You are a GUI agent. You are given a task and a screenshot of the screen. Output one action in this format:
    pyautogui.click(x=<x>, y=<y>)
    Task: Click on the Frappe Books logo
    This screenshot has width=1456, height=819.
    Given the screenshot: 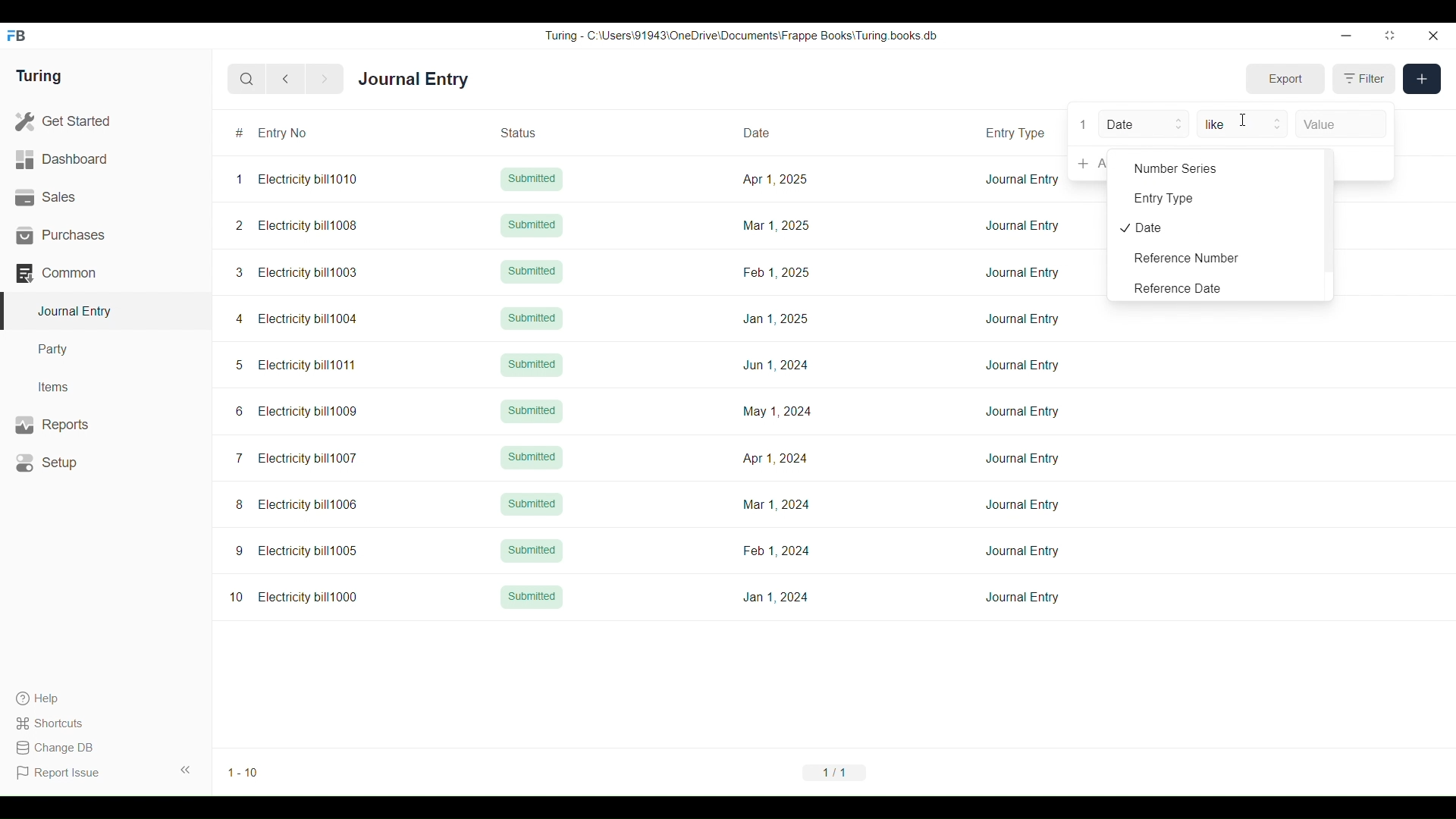 What is the action you would take?
    pyautogui.click(x=15, y=36)
    